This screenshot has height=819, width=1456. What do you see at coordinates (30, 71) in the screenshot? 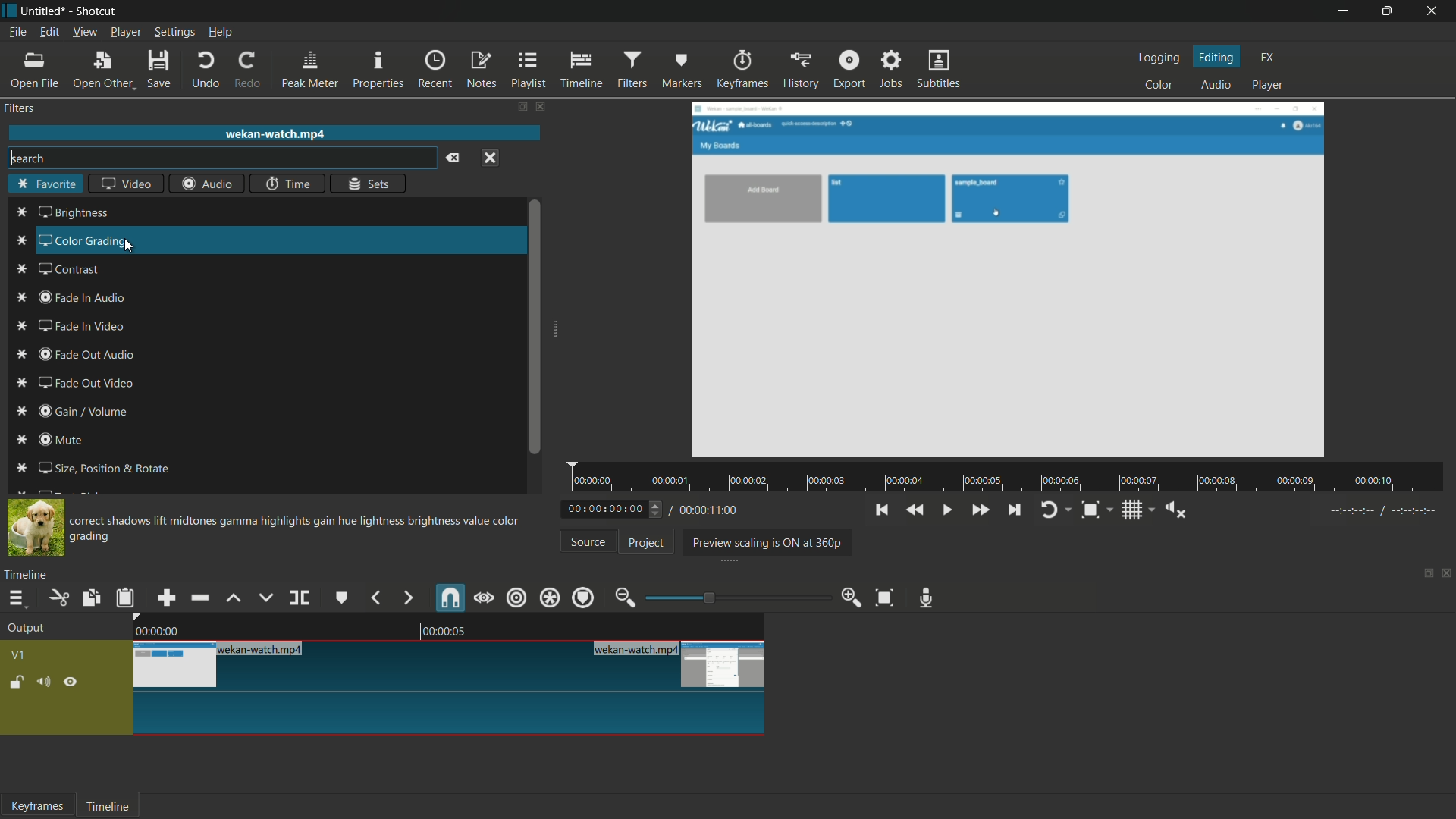
I see `open file` at bounding box center [30, 71].